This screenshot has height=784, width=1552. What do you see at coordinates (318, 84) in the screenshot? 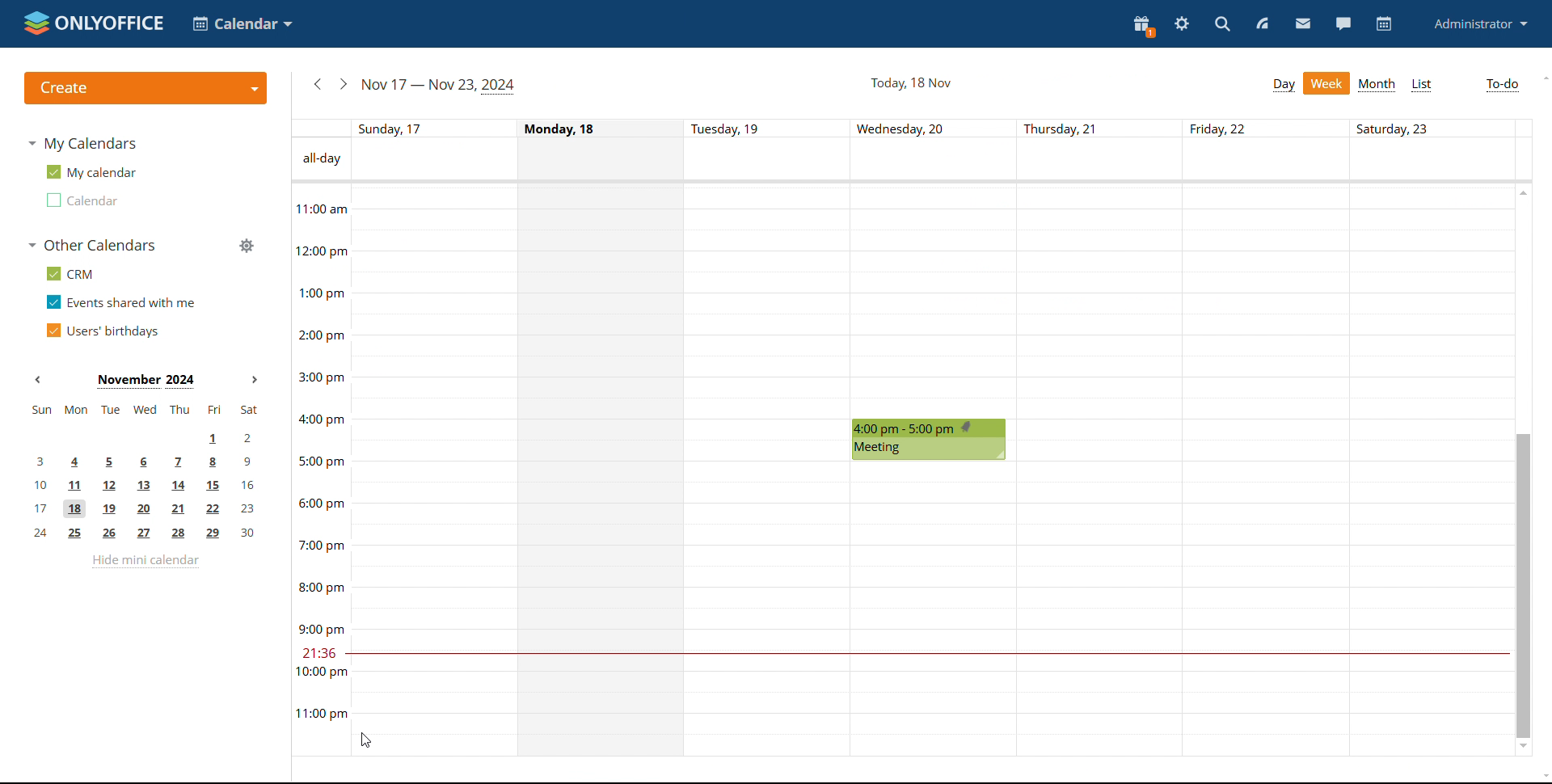
I see `previous week` at bounding box center [318, 84].